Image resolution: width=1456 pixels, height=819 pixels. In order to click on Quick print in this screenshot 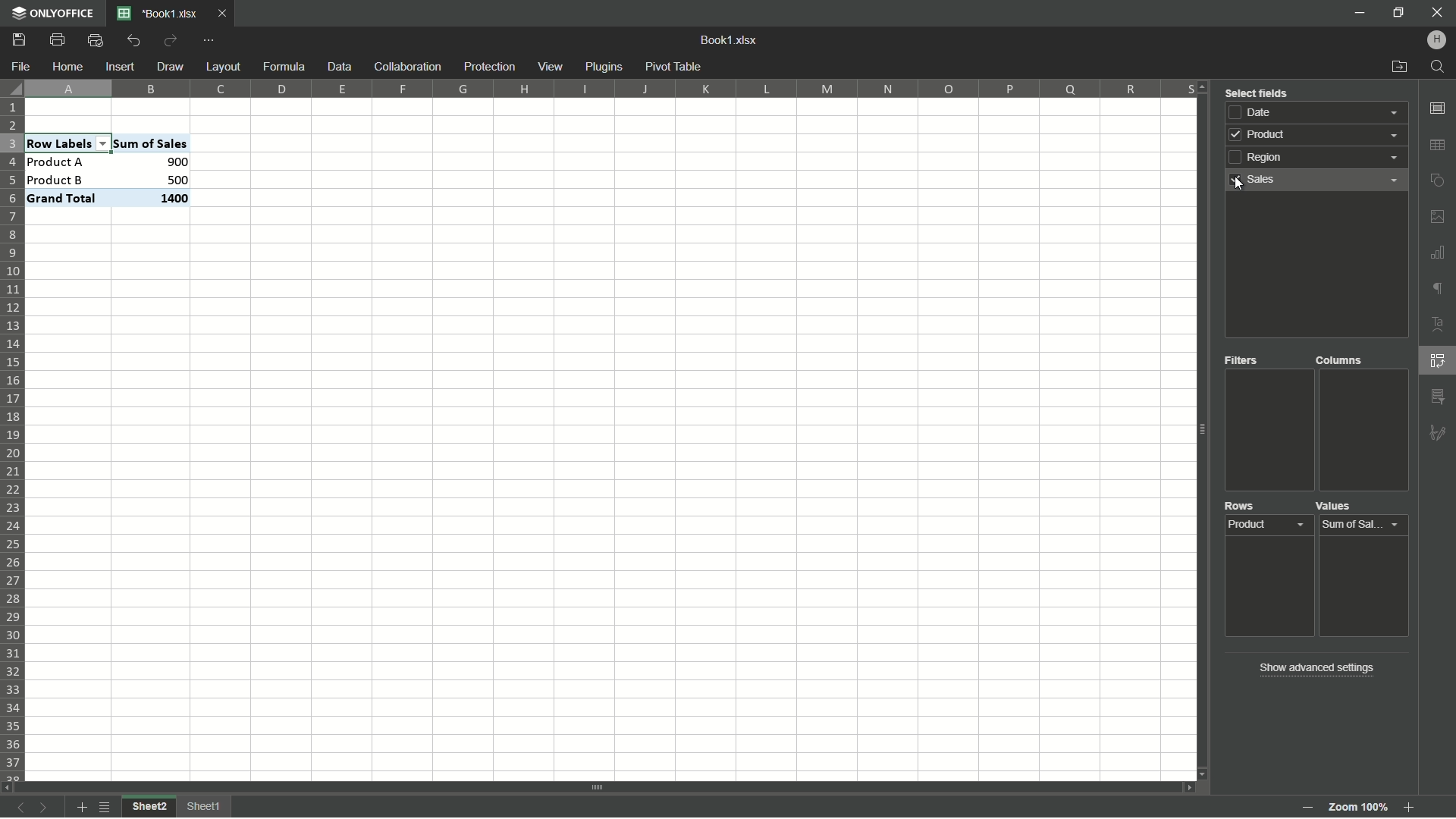, I will do `click(94, 42)`.